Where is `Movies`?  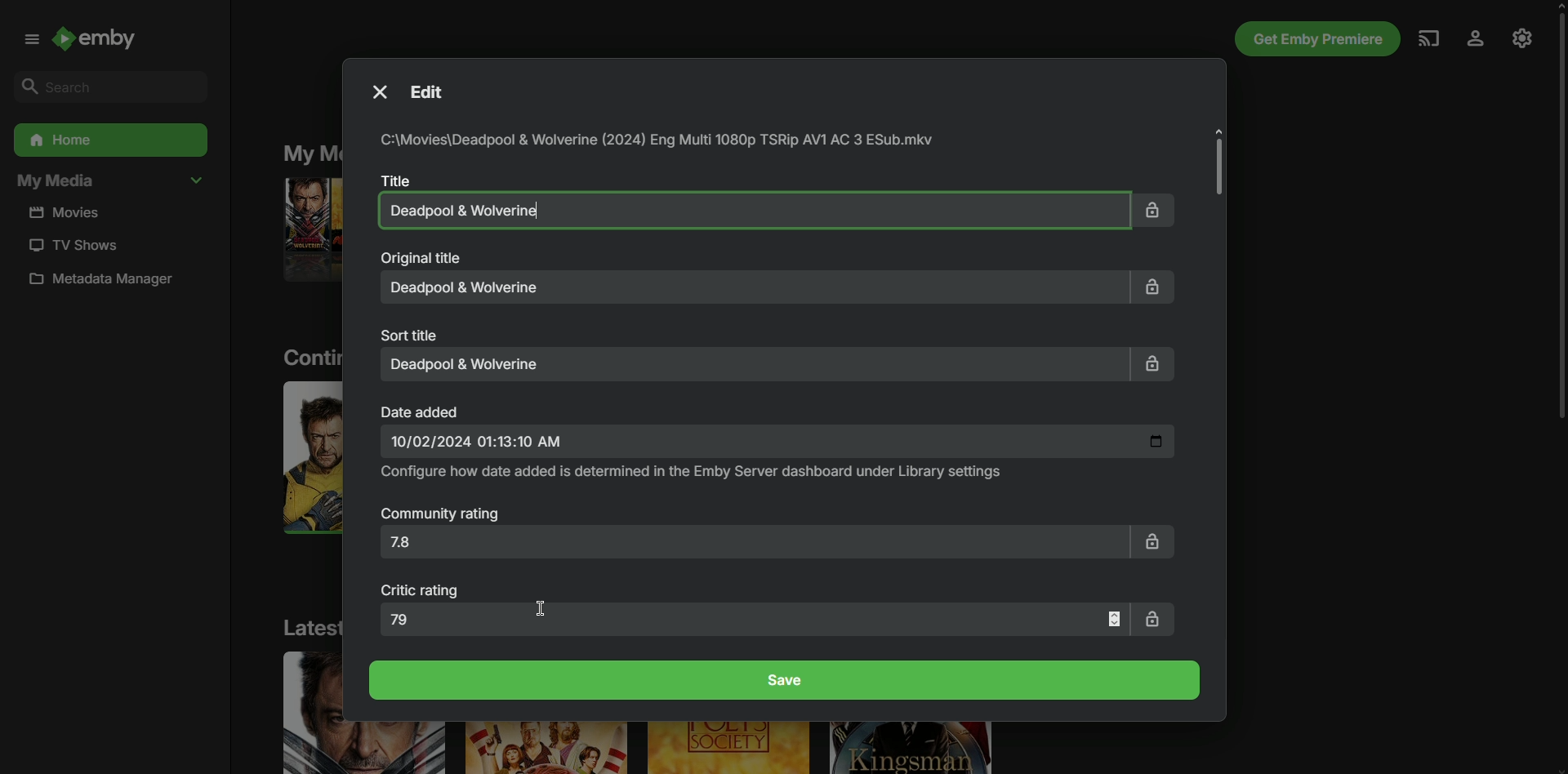
Movies is located at coordinates (72, 213).